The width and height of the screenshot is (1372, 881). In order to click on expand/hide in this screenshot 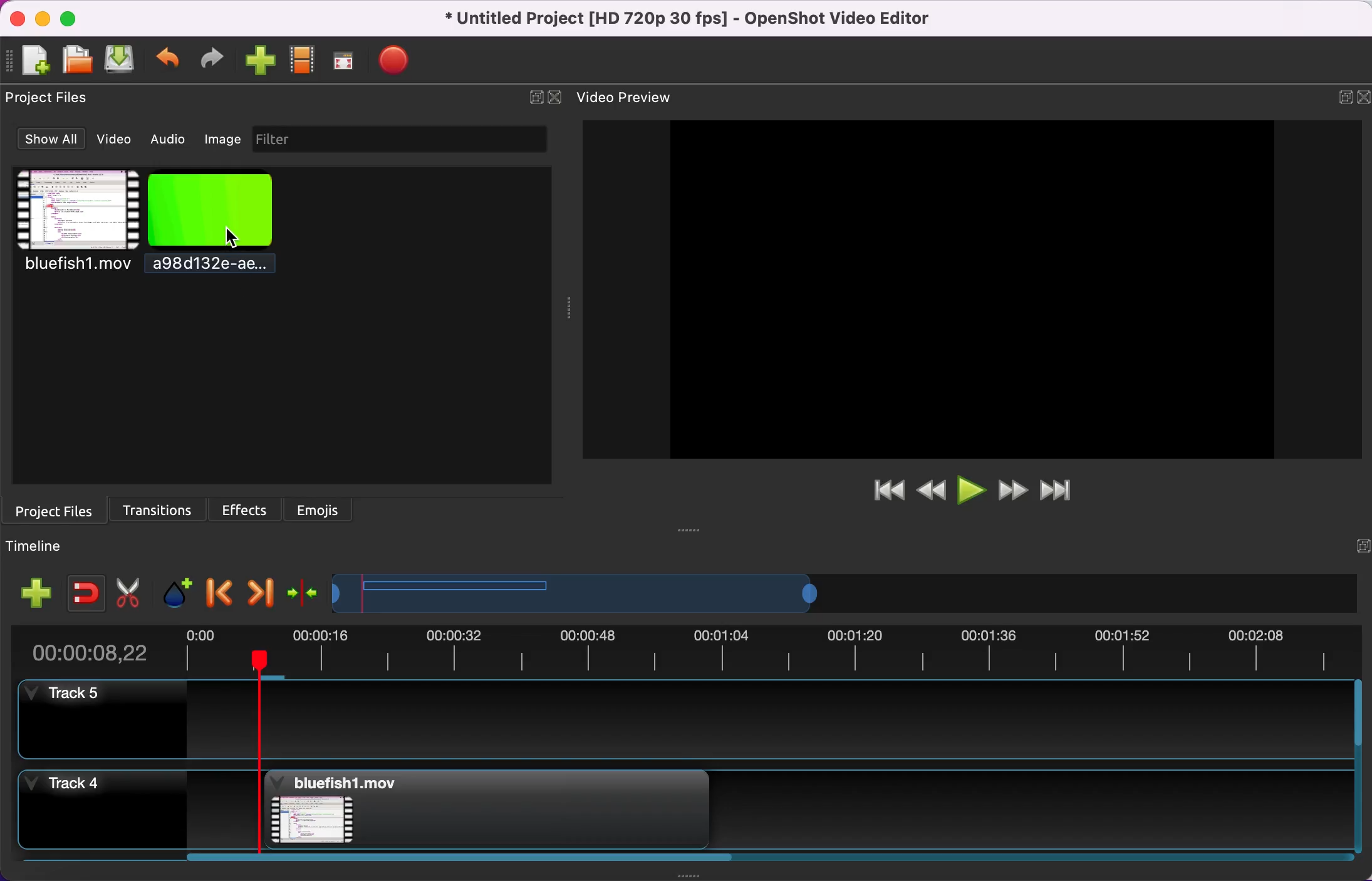, I will do `click(533, 98)`.